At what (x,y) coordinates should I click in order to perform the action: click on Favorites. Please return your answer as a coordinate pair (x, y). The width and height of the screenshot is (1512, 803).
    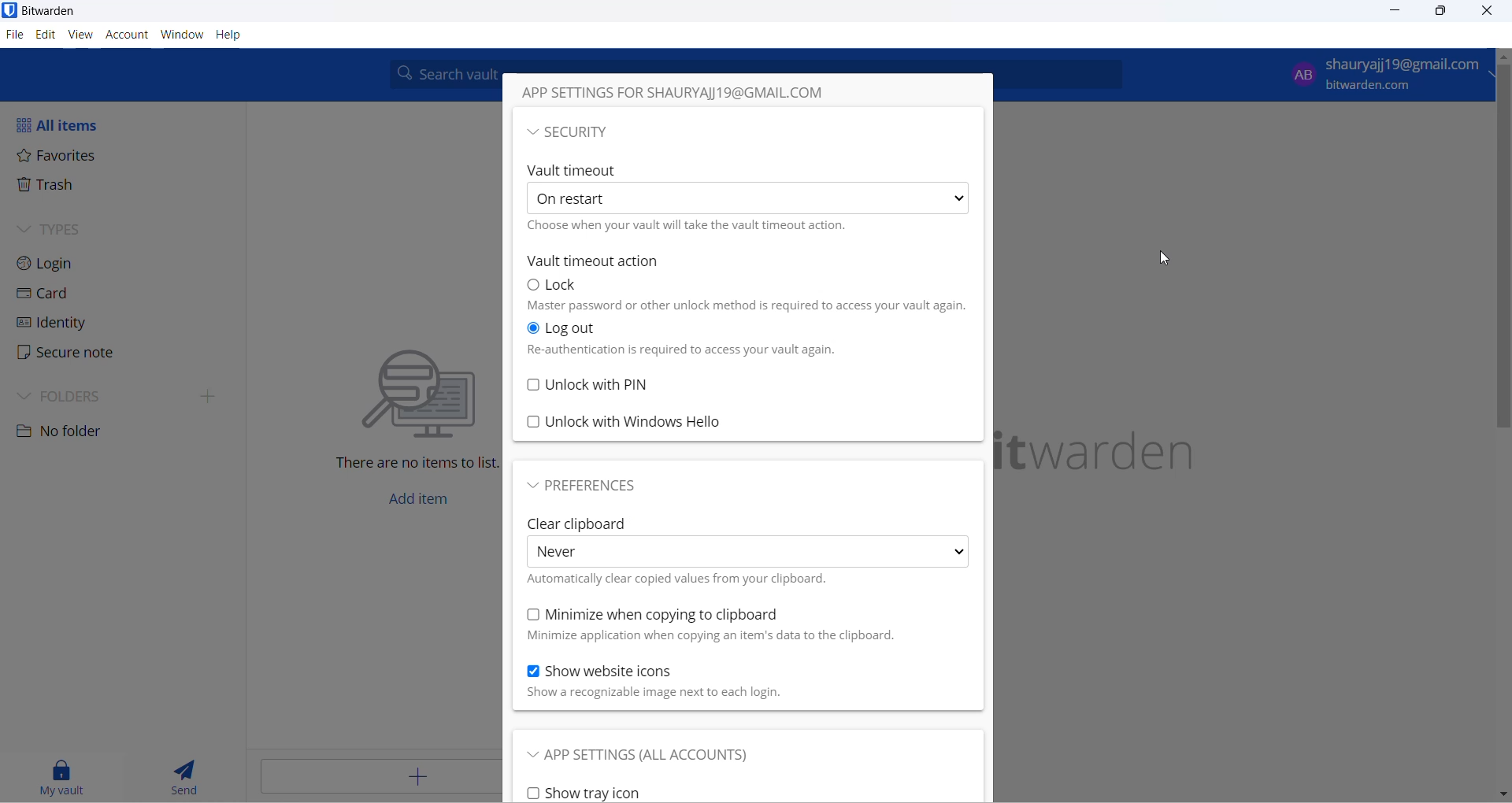
    Looking at the image, I should click on (62, 157).